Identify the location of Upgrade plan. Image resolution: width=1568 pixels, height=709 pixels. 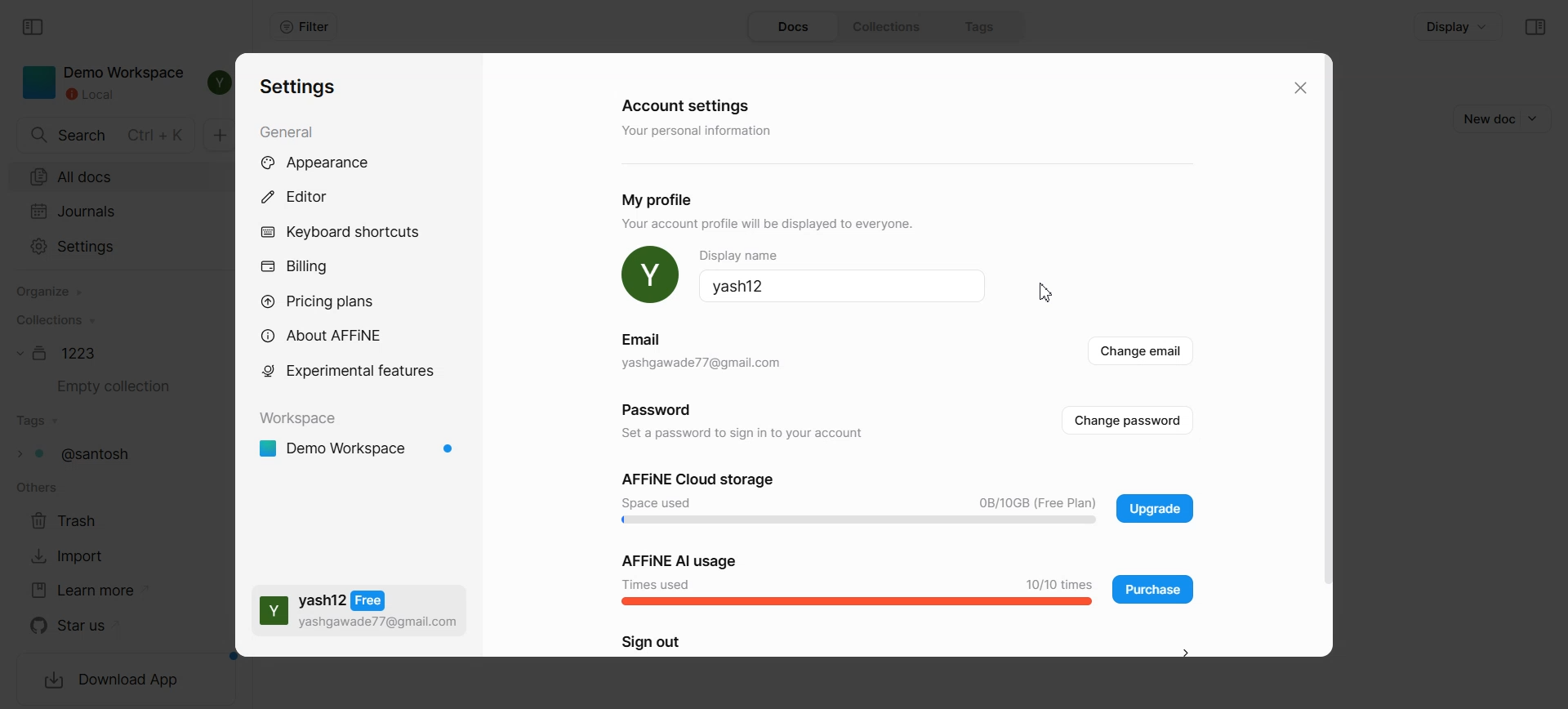
(1154, 508).